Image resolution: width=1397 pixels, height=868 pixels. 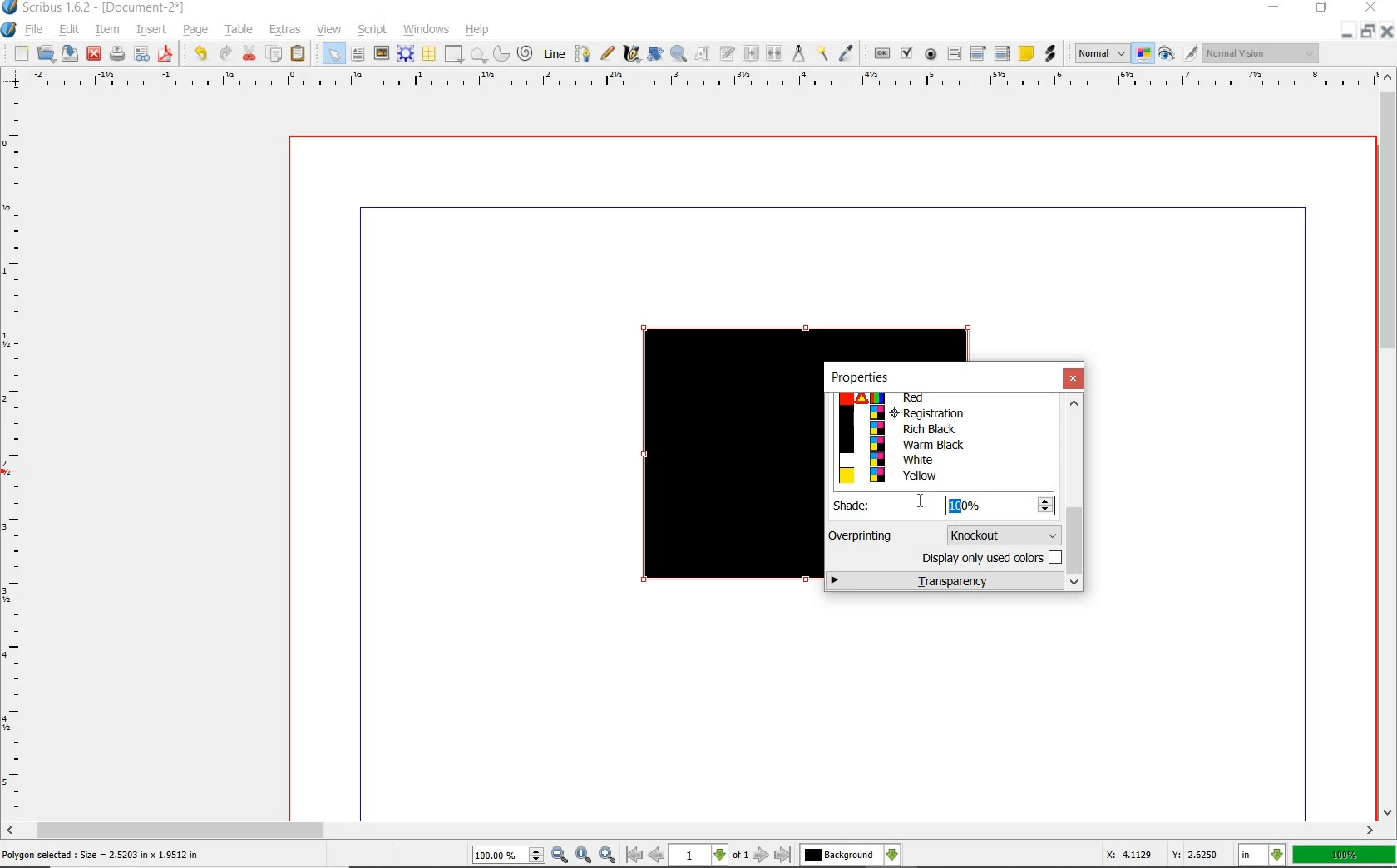 What do you see at coordinates (937, 399) in the screenshot?
I see `Red` at bounding box center [937, 399].